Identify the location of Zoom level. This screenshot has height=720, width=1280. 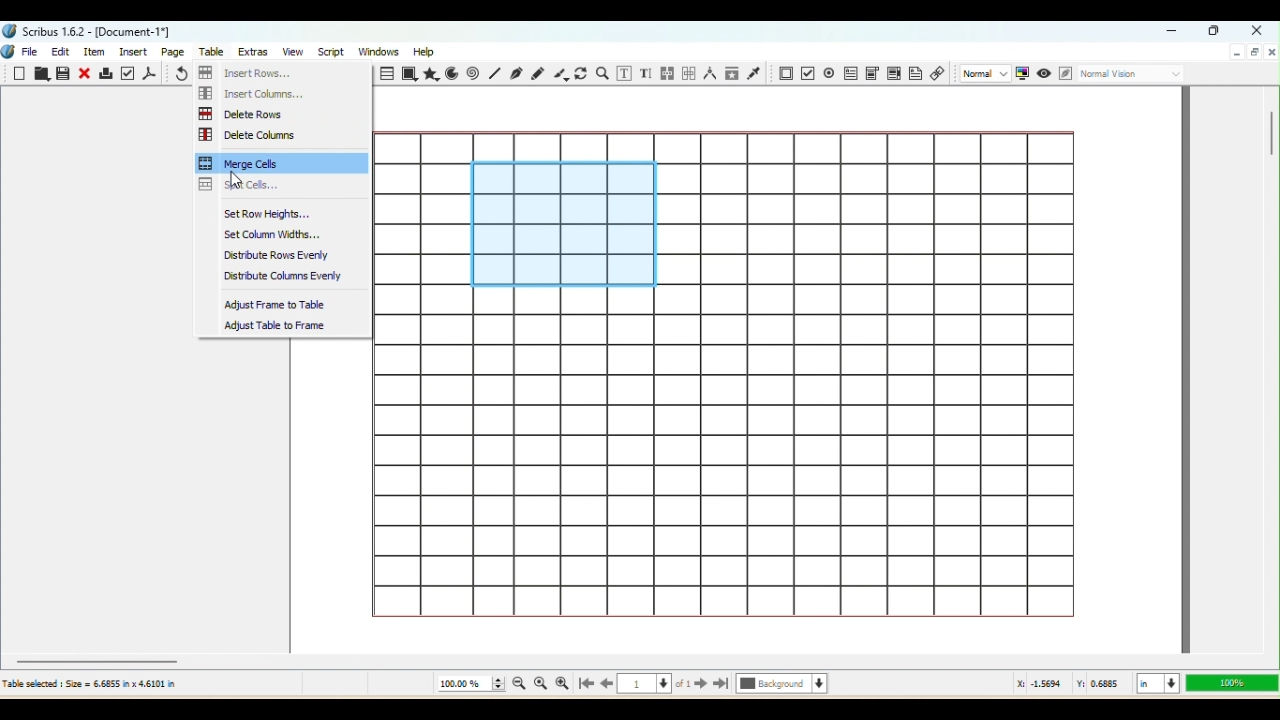
(1230, 683).